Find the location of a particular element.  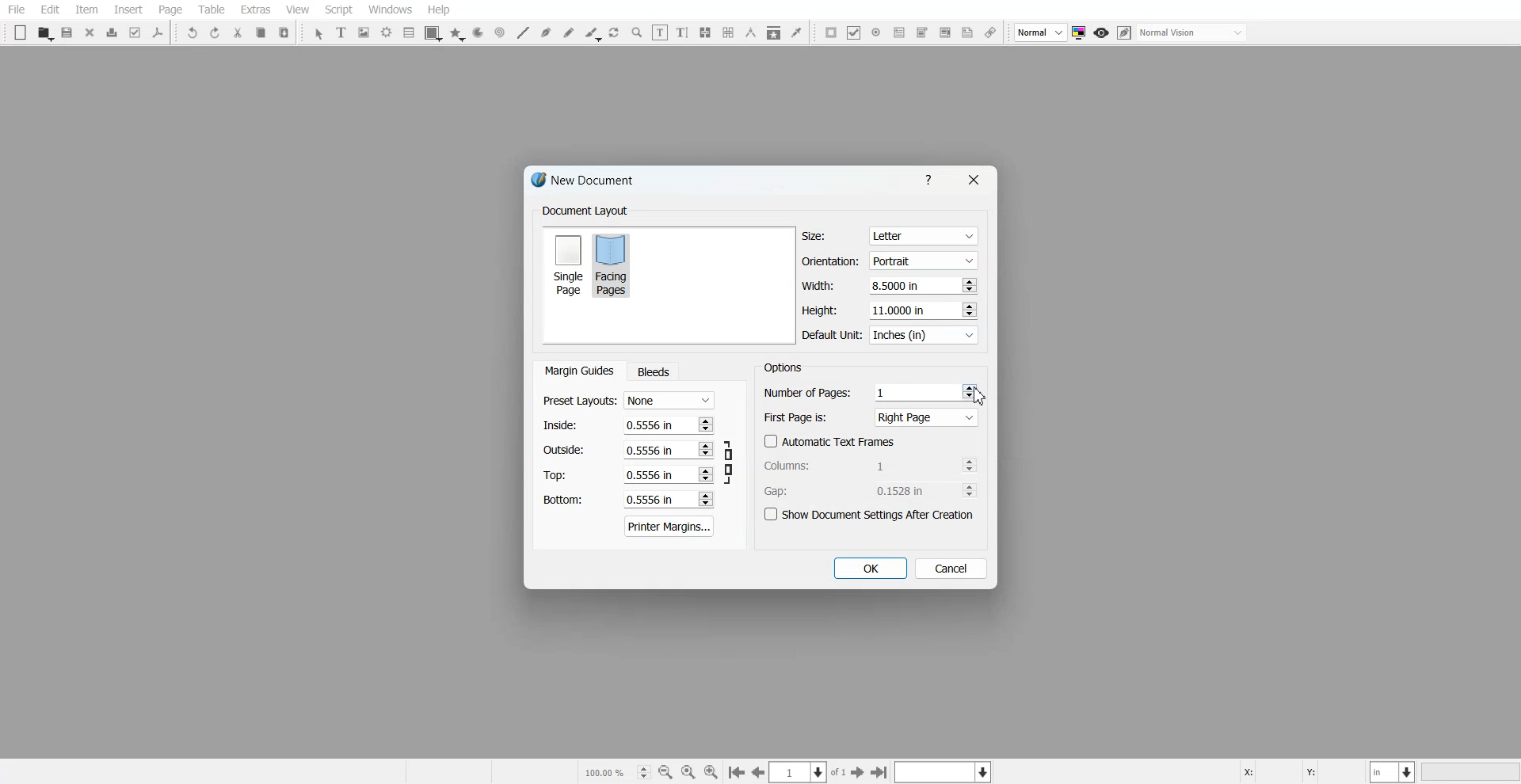

OK is located at coordinates (869, 569).